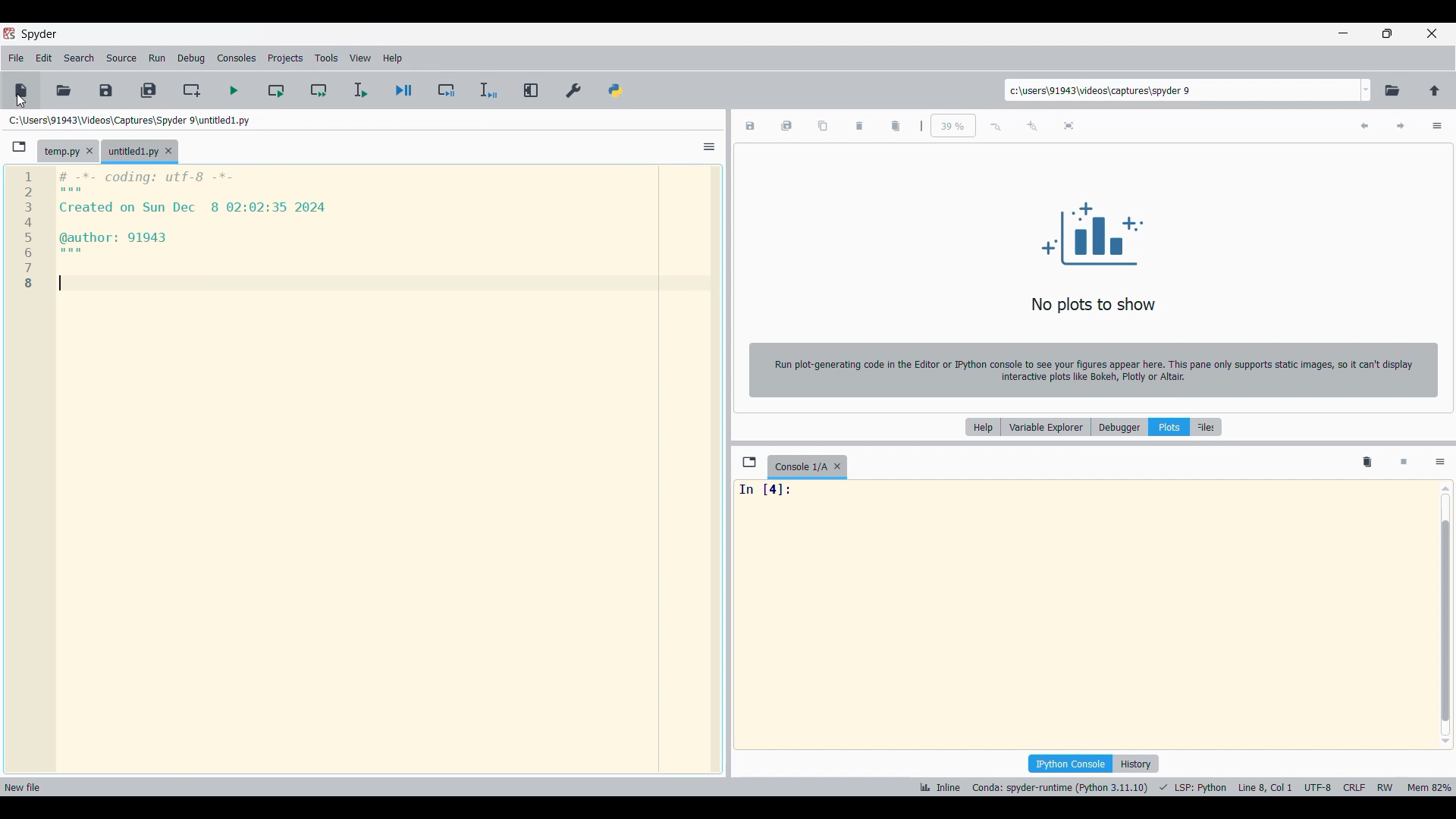  What do you see at coordinates (800, 467) in the screenshot?
I see `Current tab` at bounding box center [800, 467].